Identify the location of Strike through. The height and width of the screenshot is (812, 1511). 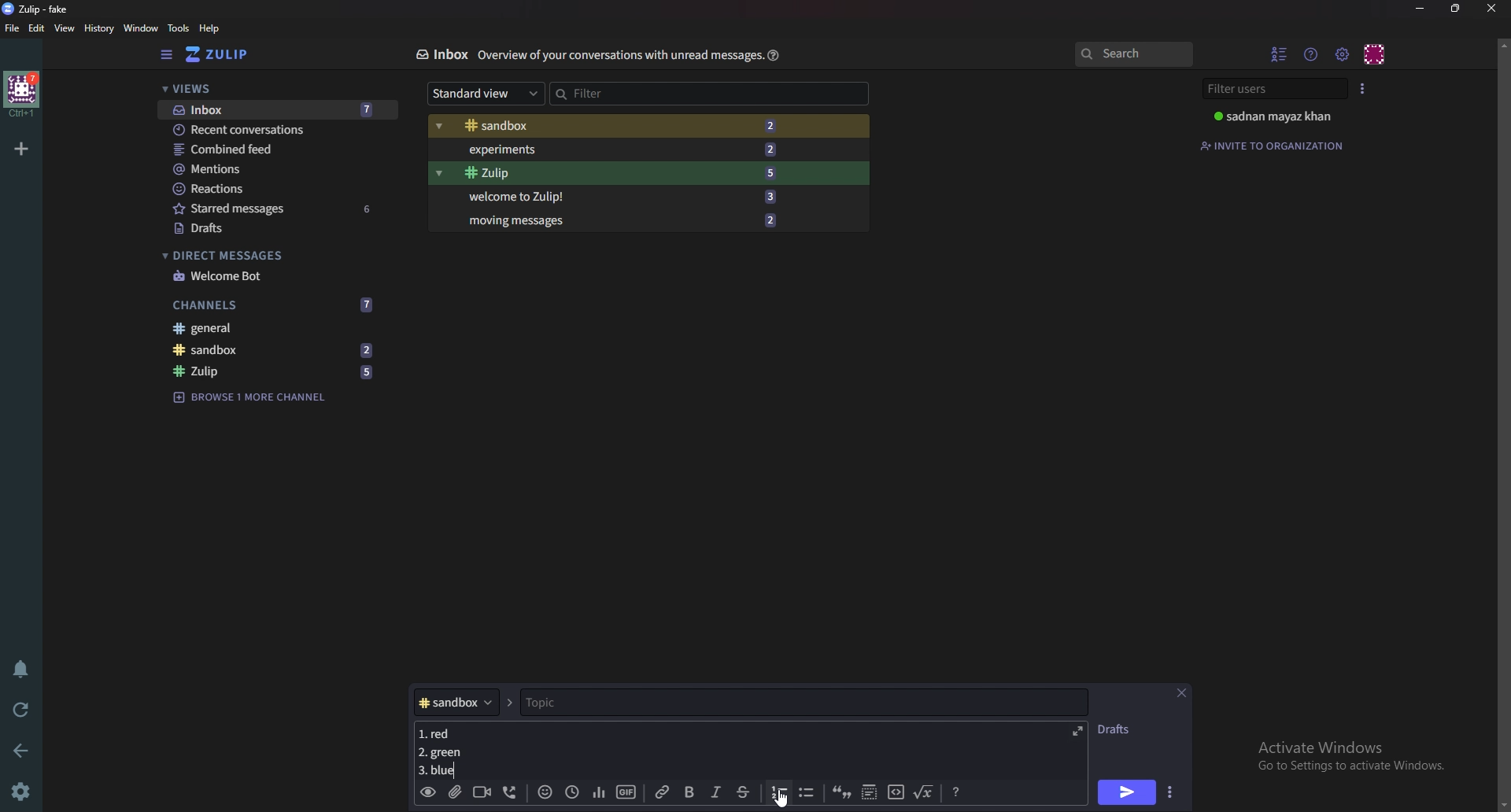
(744, 792).